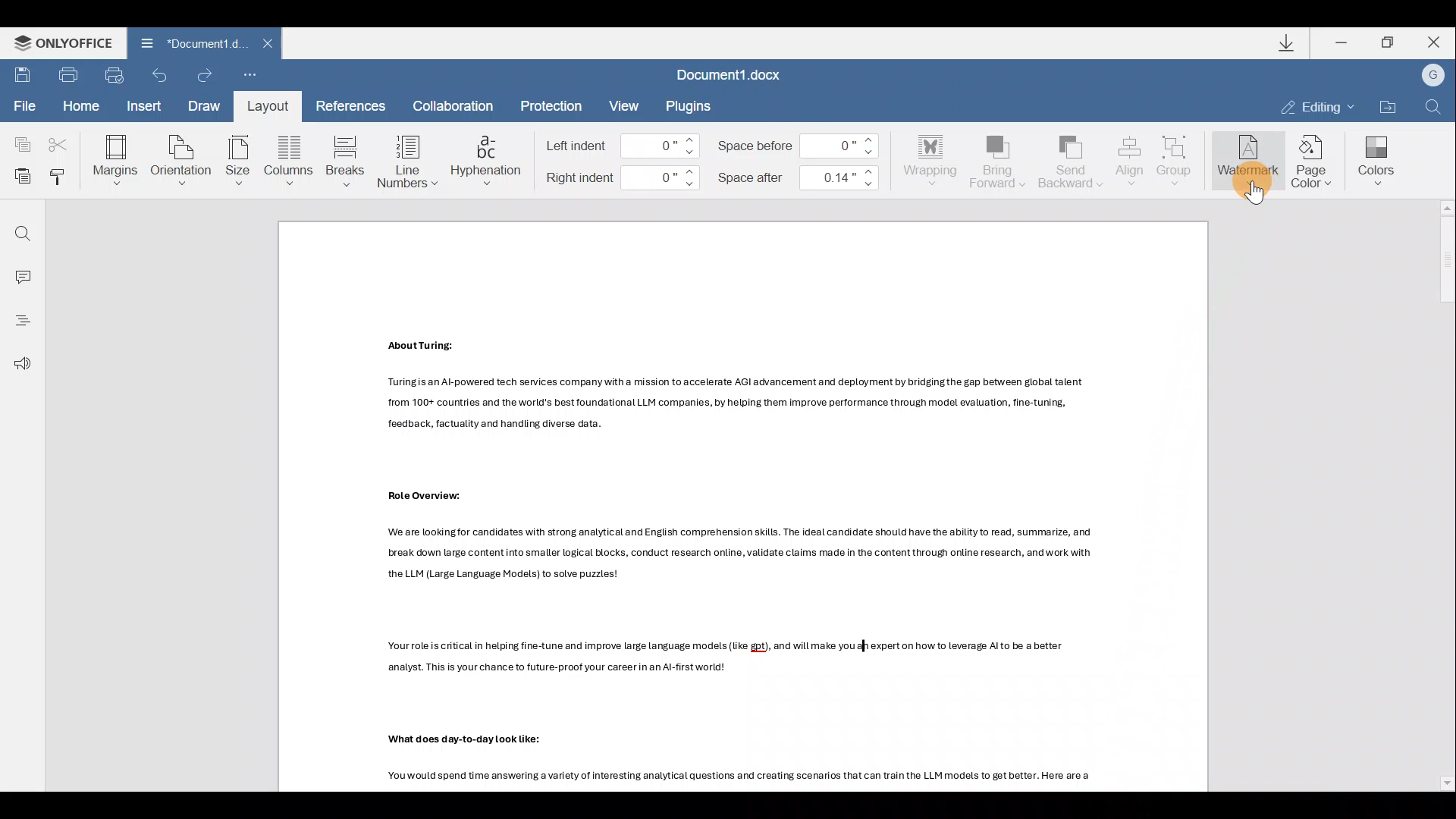  What do you see at coordinates (21, 321) in the screenshot?
I see `Heading` at bounding box center [21, 321].